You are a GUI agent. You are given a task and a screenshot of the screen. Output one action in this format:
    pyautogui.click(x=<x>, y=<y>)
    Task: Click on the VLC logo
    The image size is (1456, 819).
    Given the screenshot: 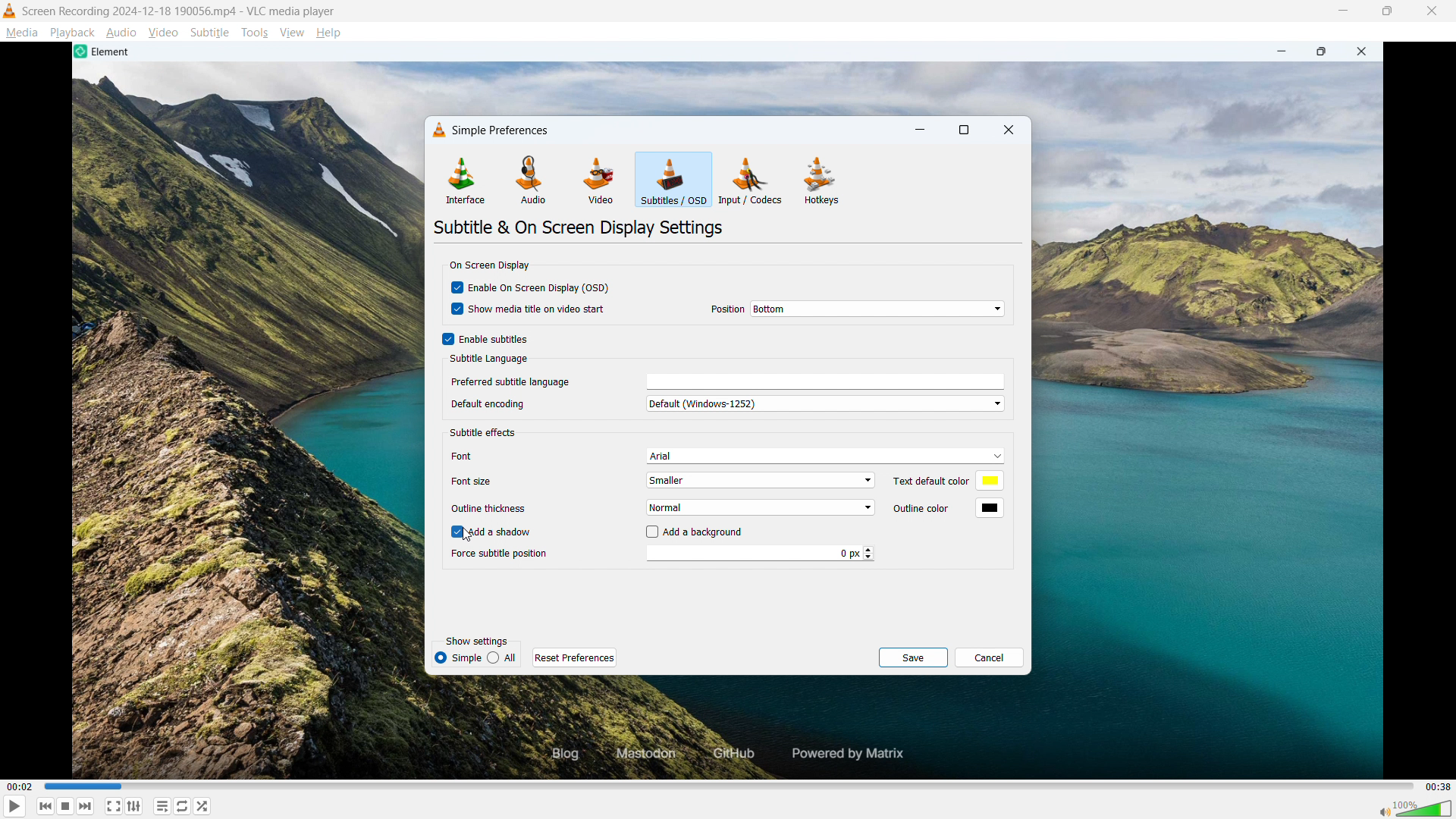 What is the action you would take?
    pyautogui.click(x=436, y=129)
    